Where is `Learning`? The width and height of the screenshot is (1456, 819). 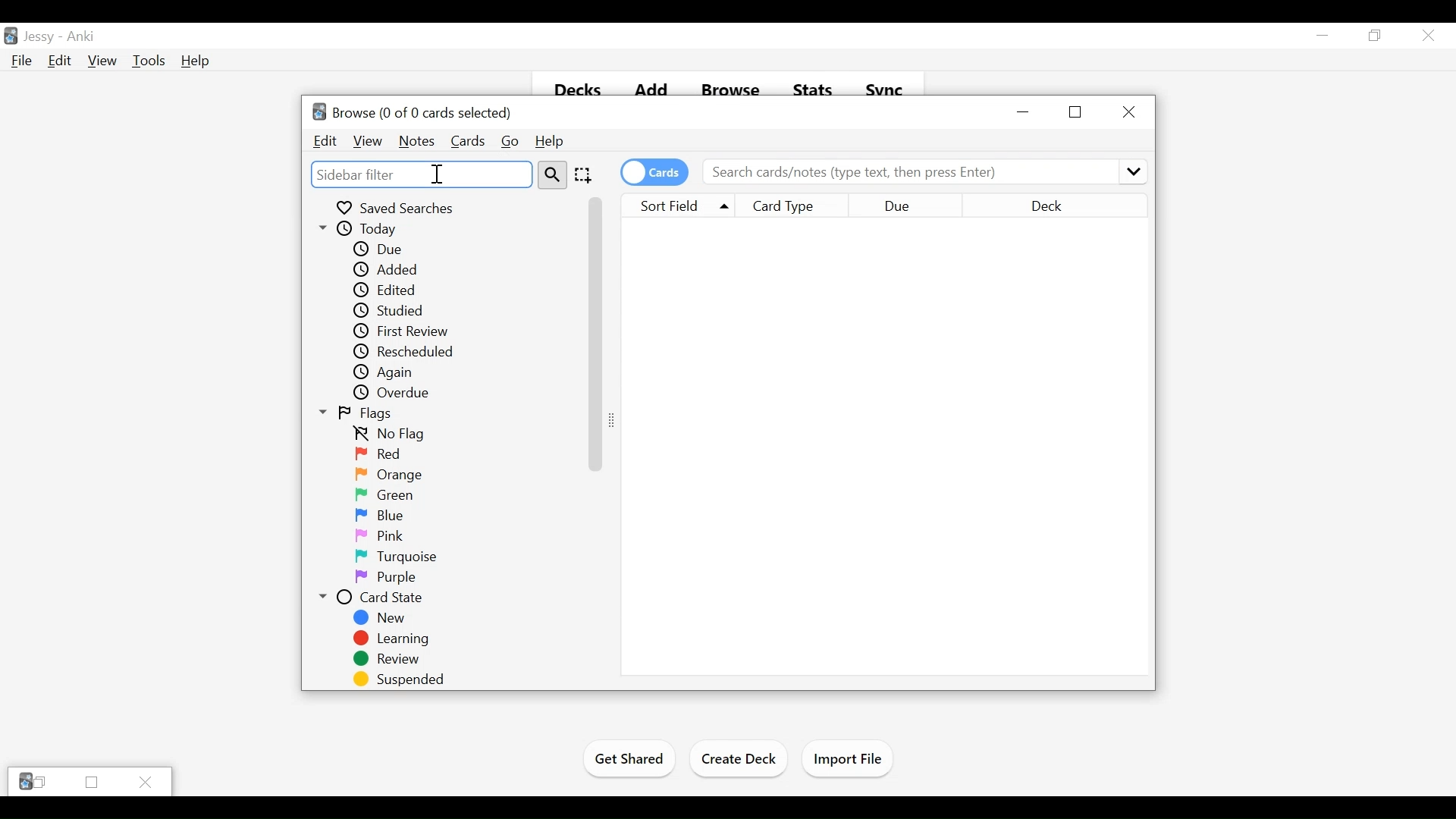 Learning is located at coordinates (393, 638).